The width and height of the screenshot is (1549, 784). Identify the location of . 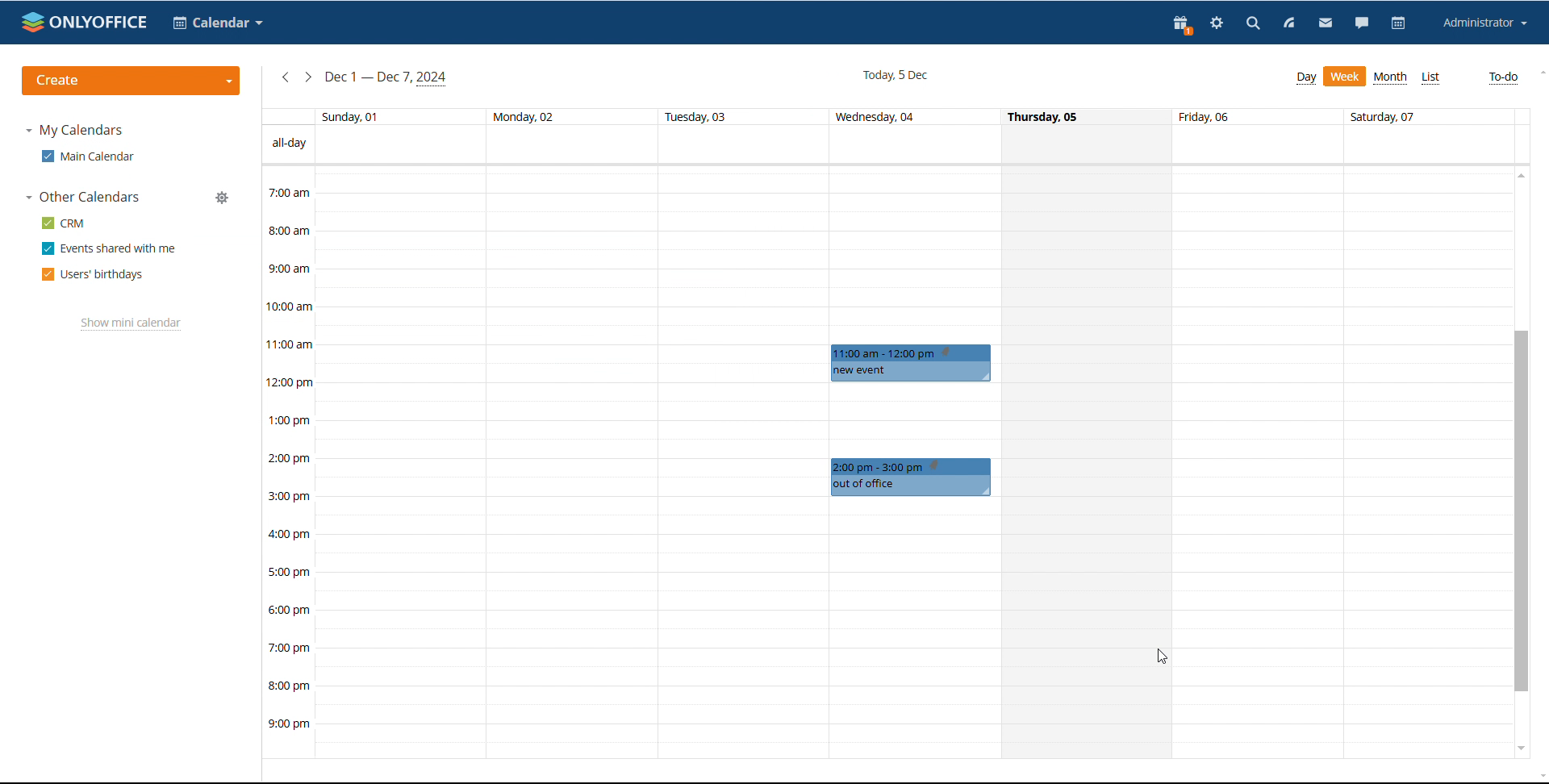
(912, 477).